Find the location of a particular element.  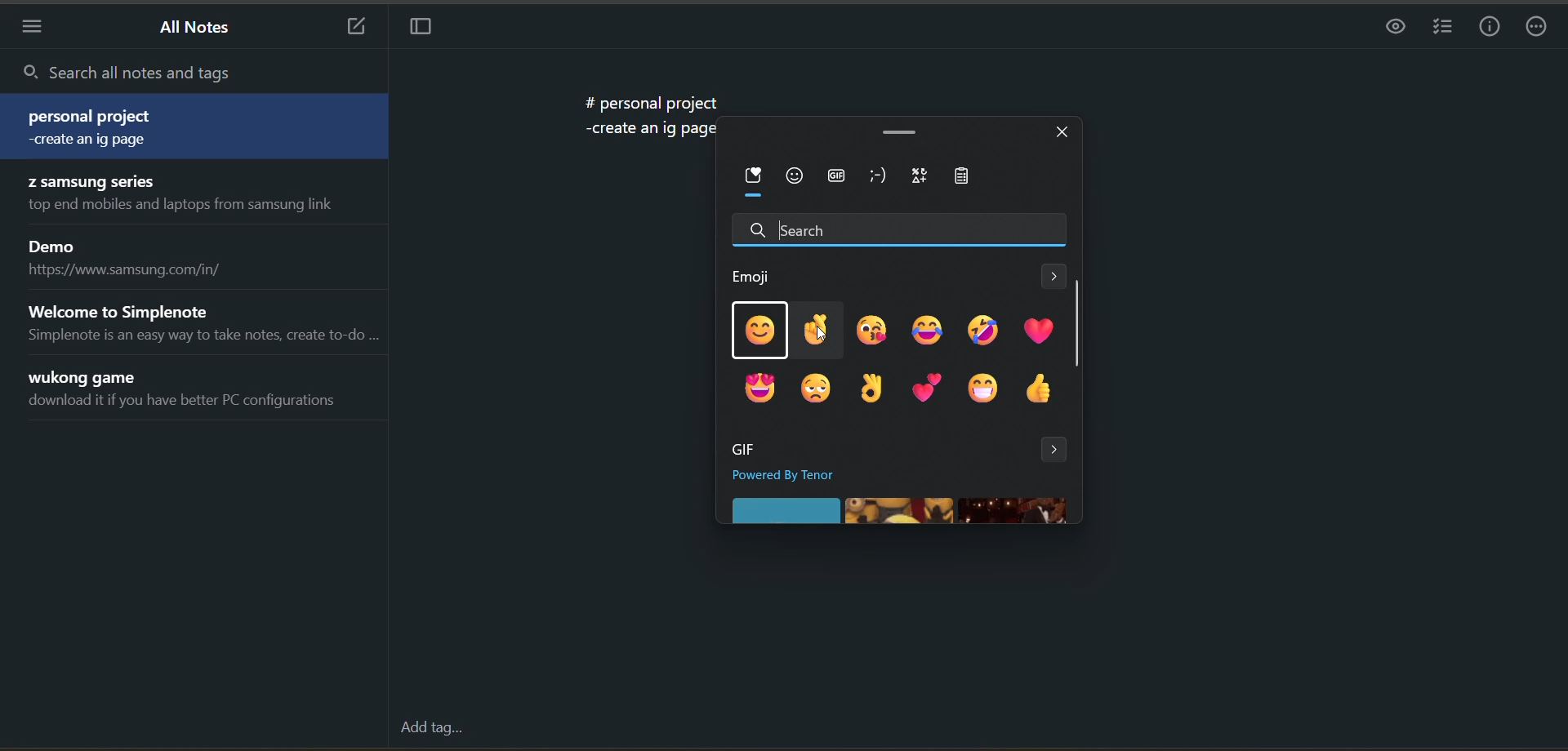

emoji 3 is located at coordinates (871, 333).